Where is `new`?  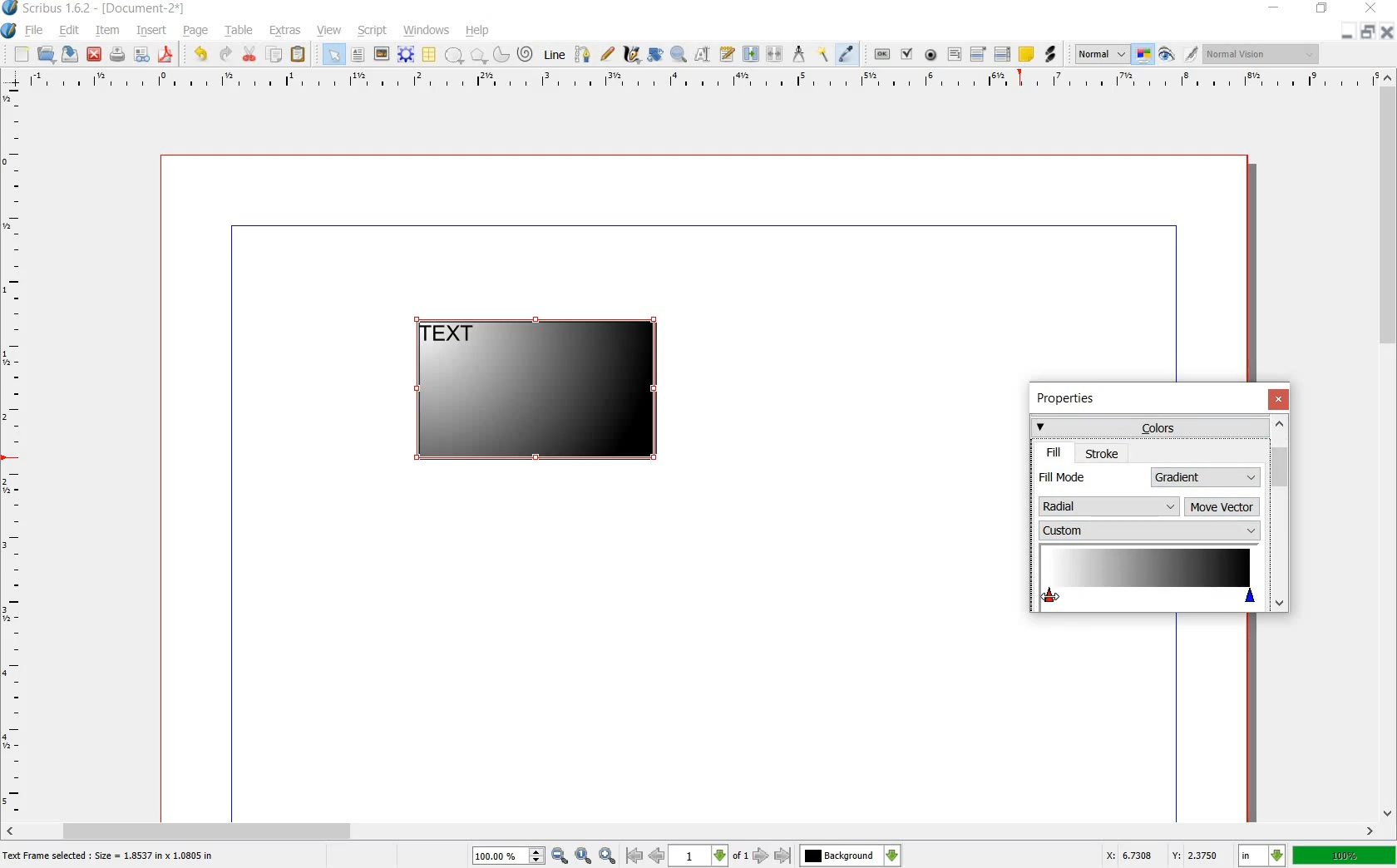
new is located at coordinates (22, 55).